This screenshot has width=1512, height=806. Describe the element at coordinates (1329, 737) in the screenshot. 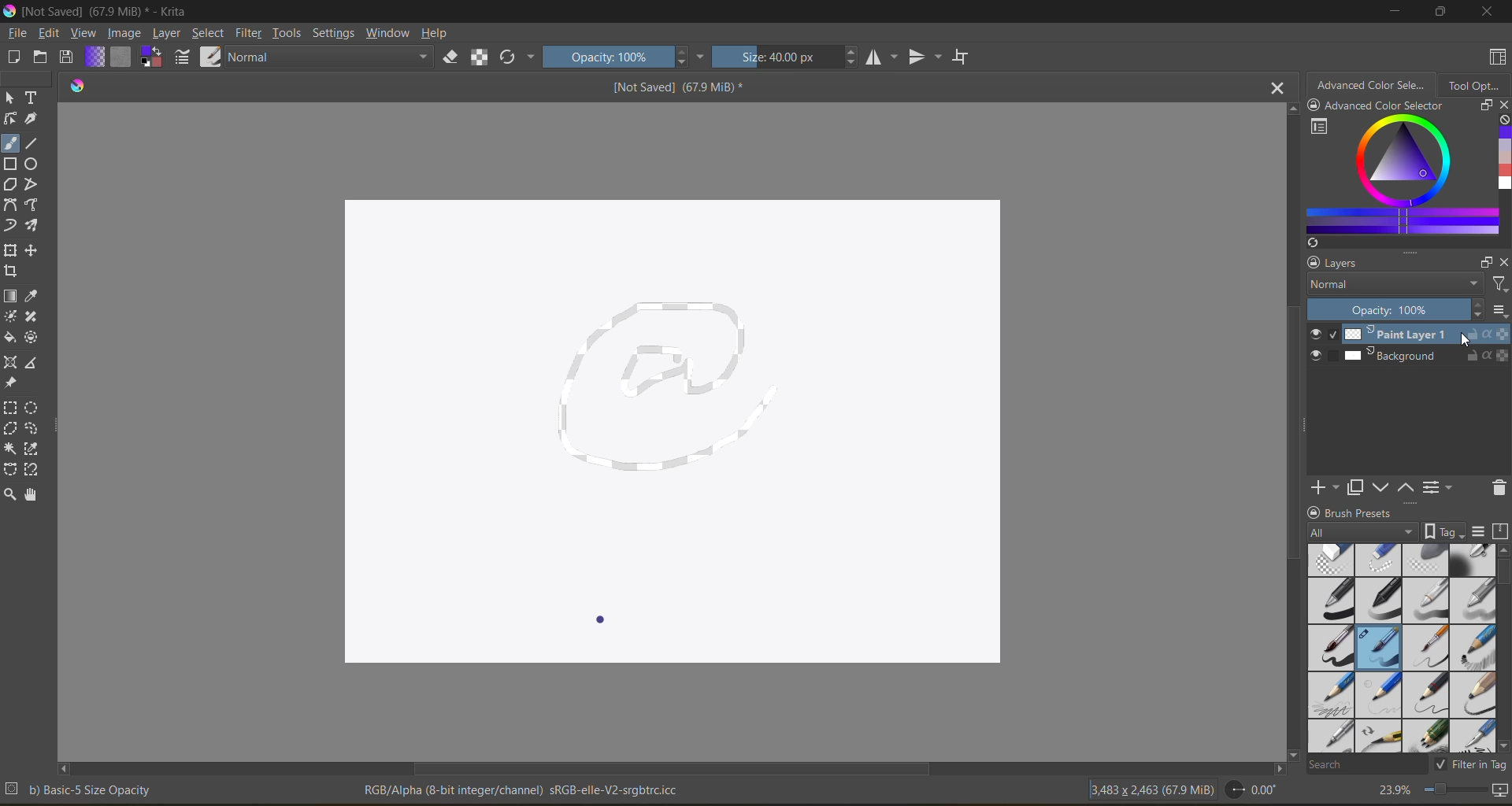

I see `pencil` at that location.